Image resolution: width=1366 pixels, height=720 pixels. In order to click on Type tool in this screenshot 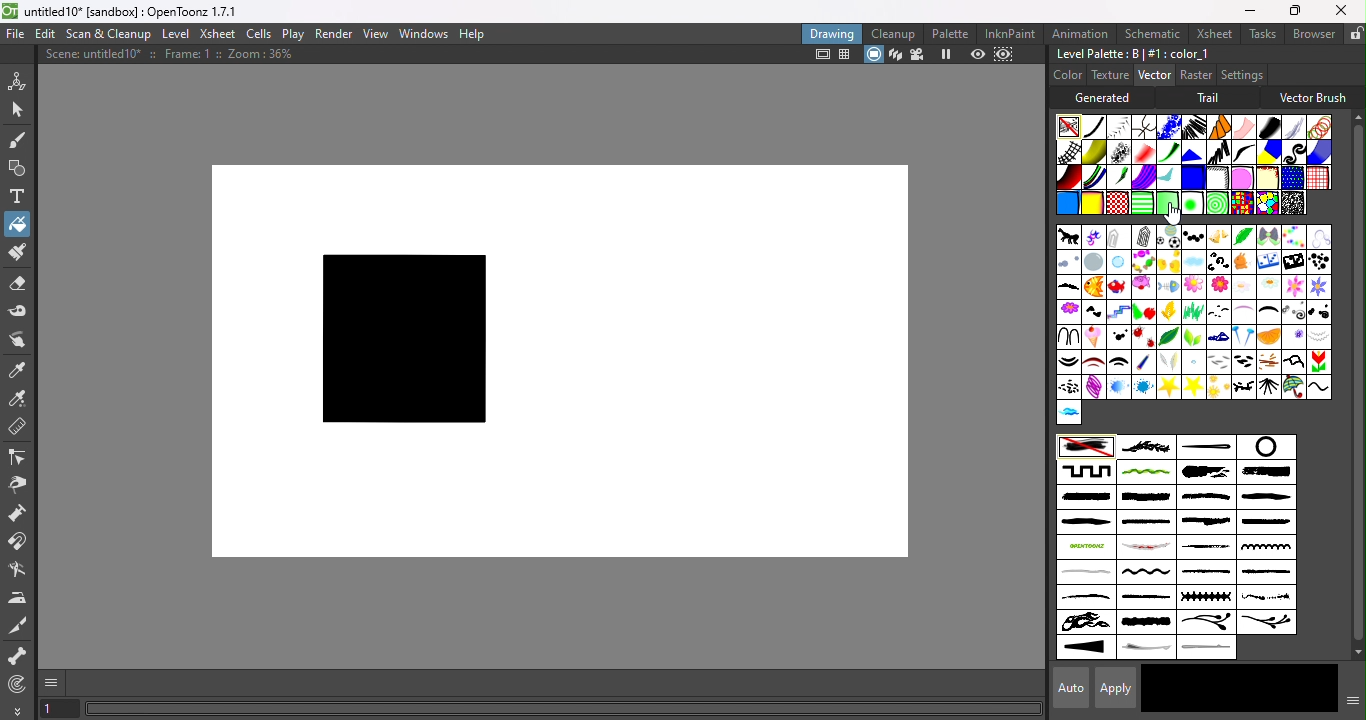, I will do `click(18, 198)`.